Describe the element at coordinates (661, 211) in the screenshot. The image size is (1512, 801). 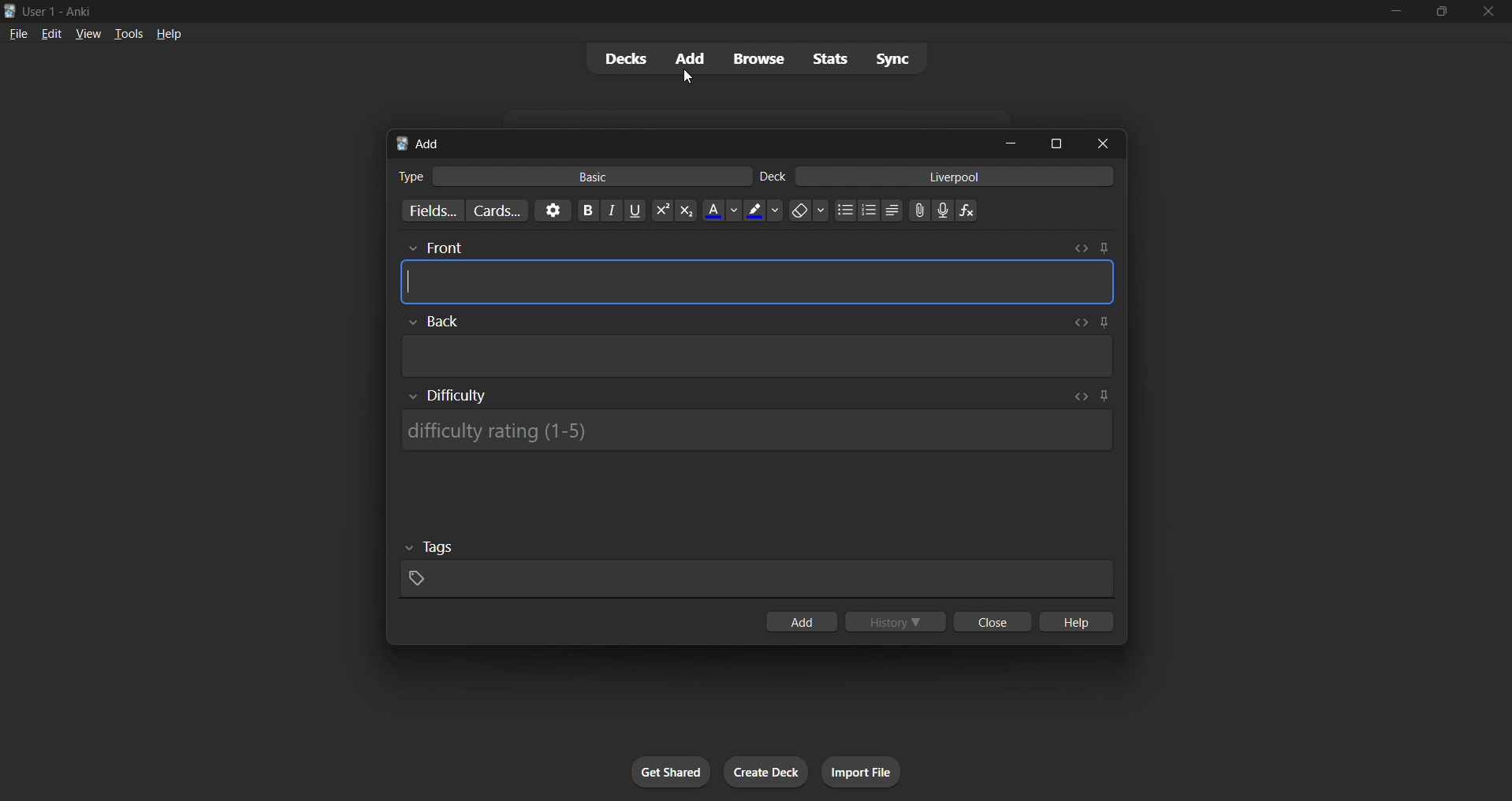
I see `superscript` at that location.